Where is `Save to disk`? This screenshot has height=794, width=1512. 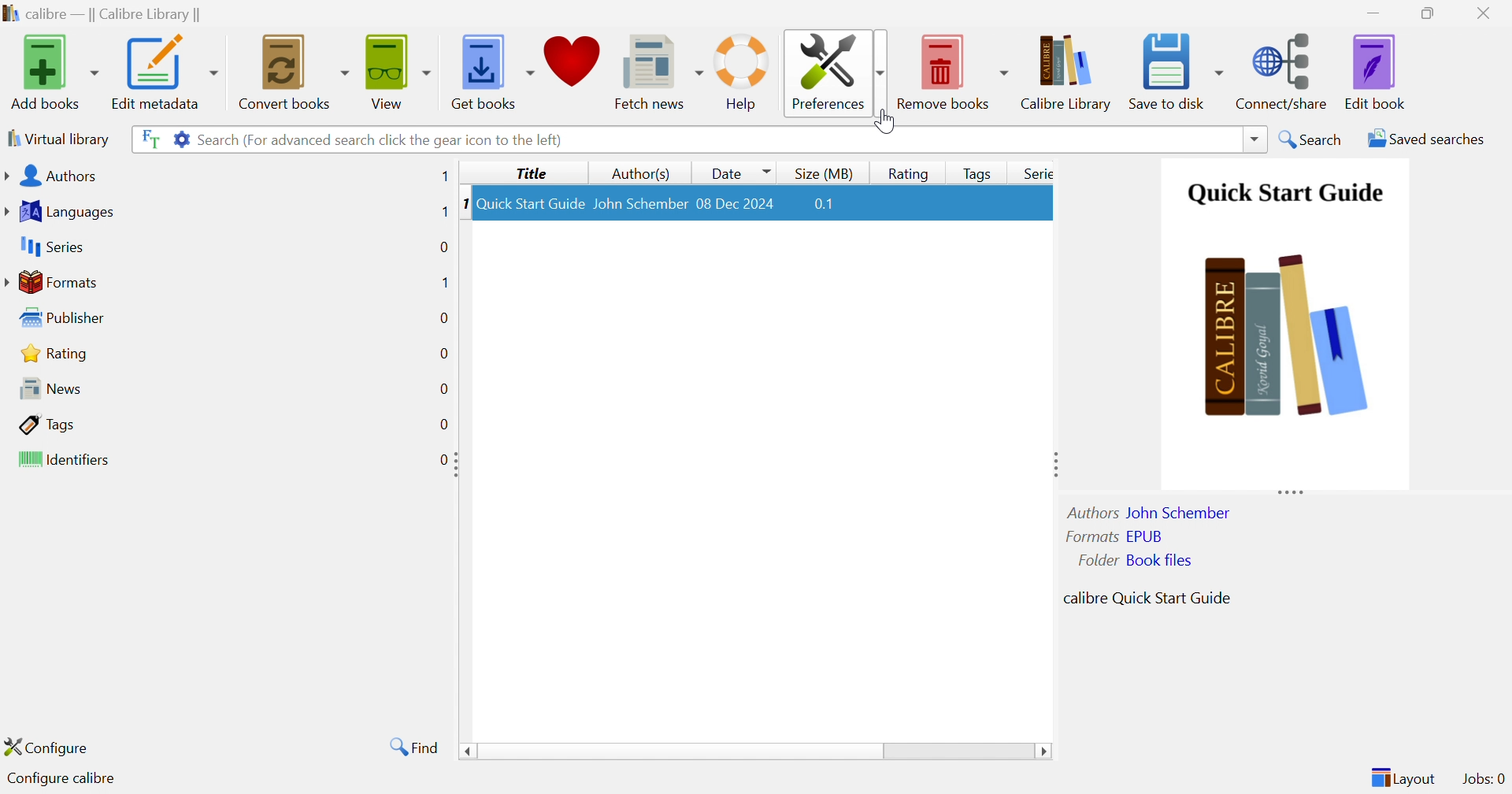 Save to disk is located at coordinates (1175, 67).